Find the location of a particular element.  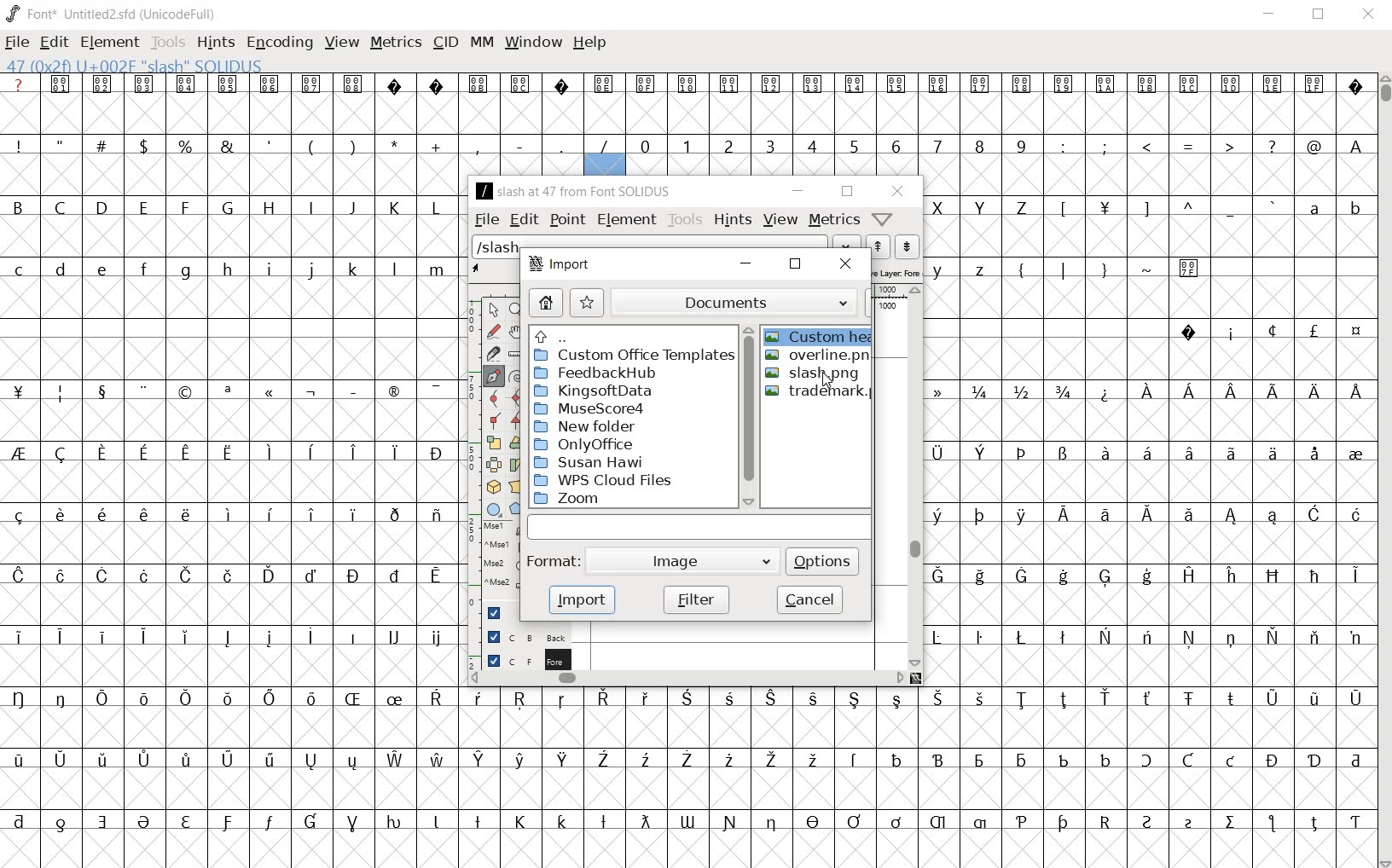

input line is located at coordinates (699, 529).